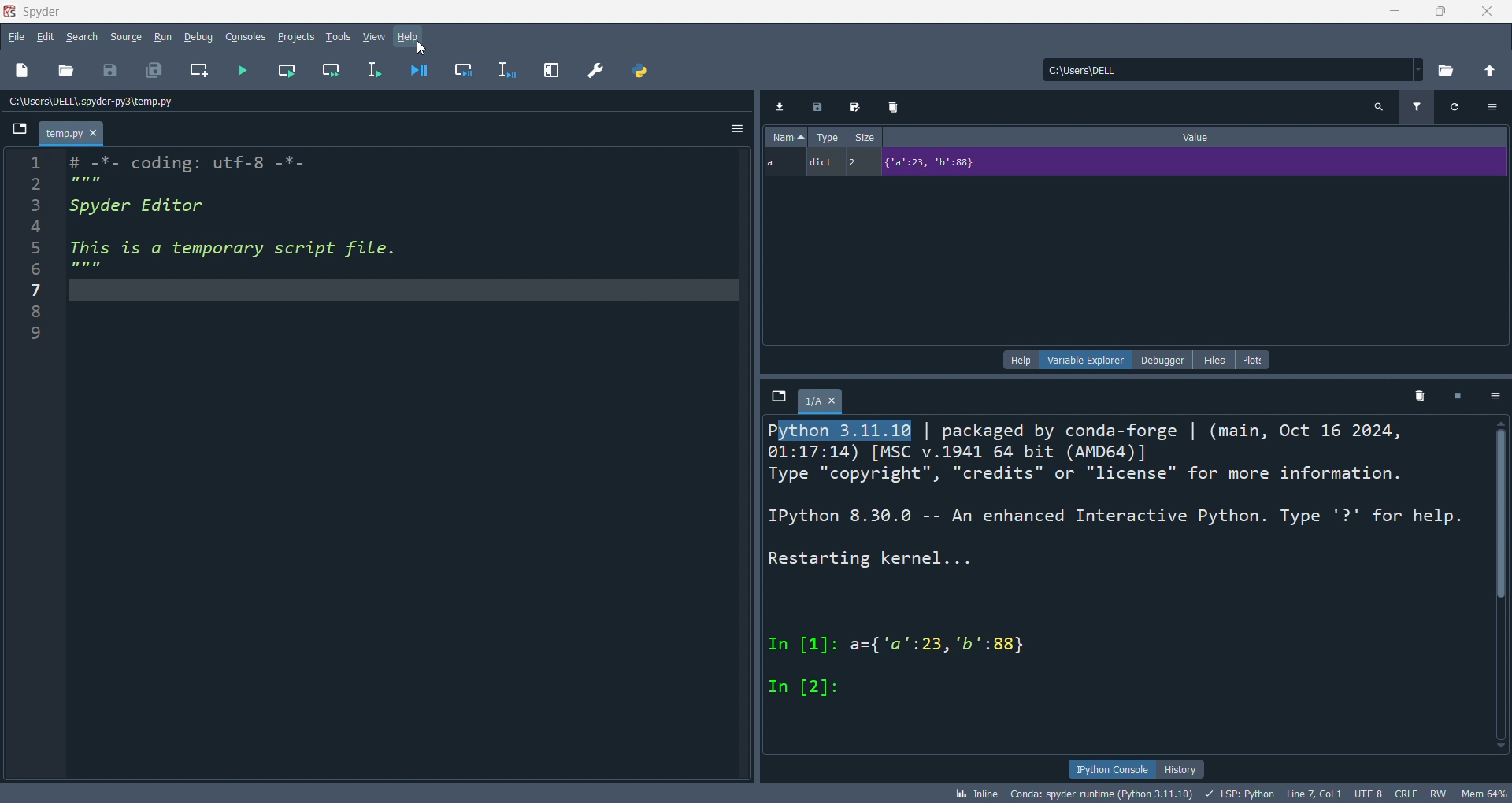 The image size is (1512, 803). What do you see at coordinates (823, 401) in the screenshot?
I see `1/A` at bounding box center [823, 401].